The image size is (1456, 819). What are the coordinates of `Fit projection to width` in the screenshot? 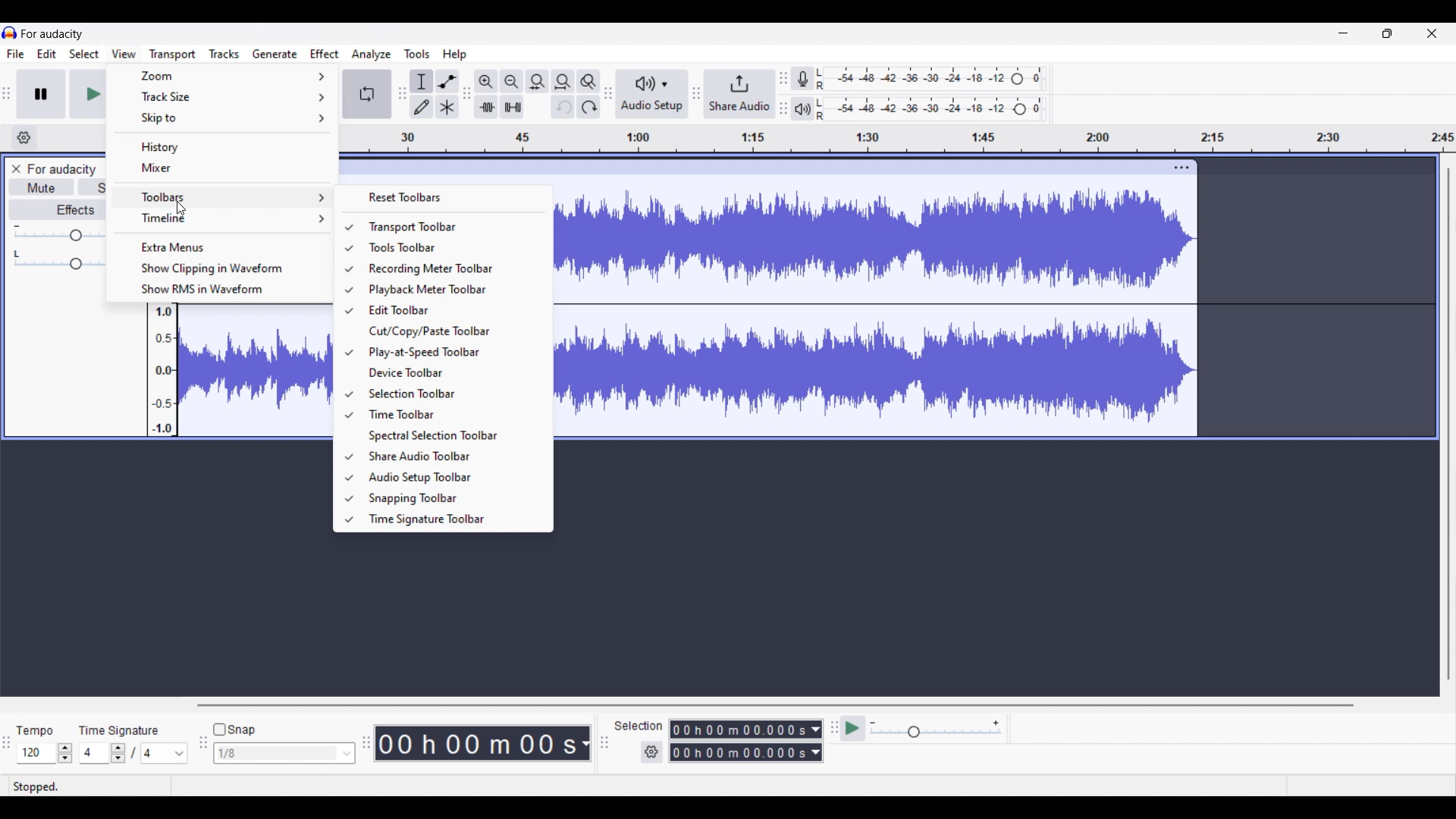 It's located at (563, 81).